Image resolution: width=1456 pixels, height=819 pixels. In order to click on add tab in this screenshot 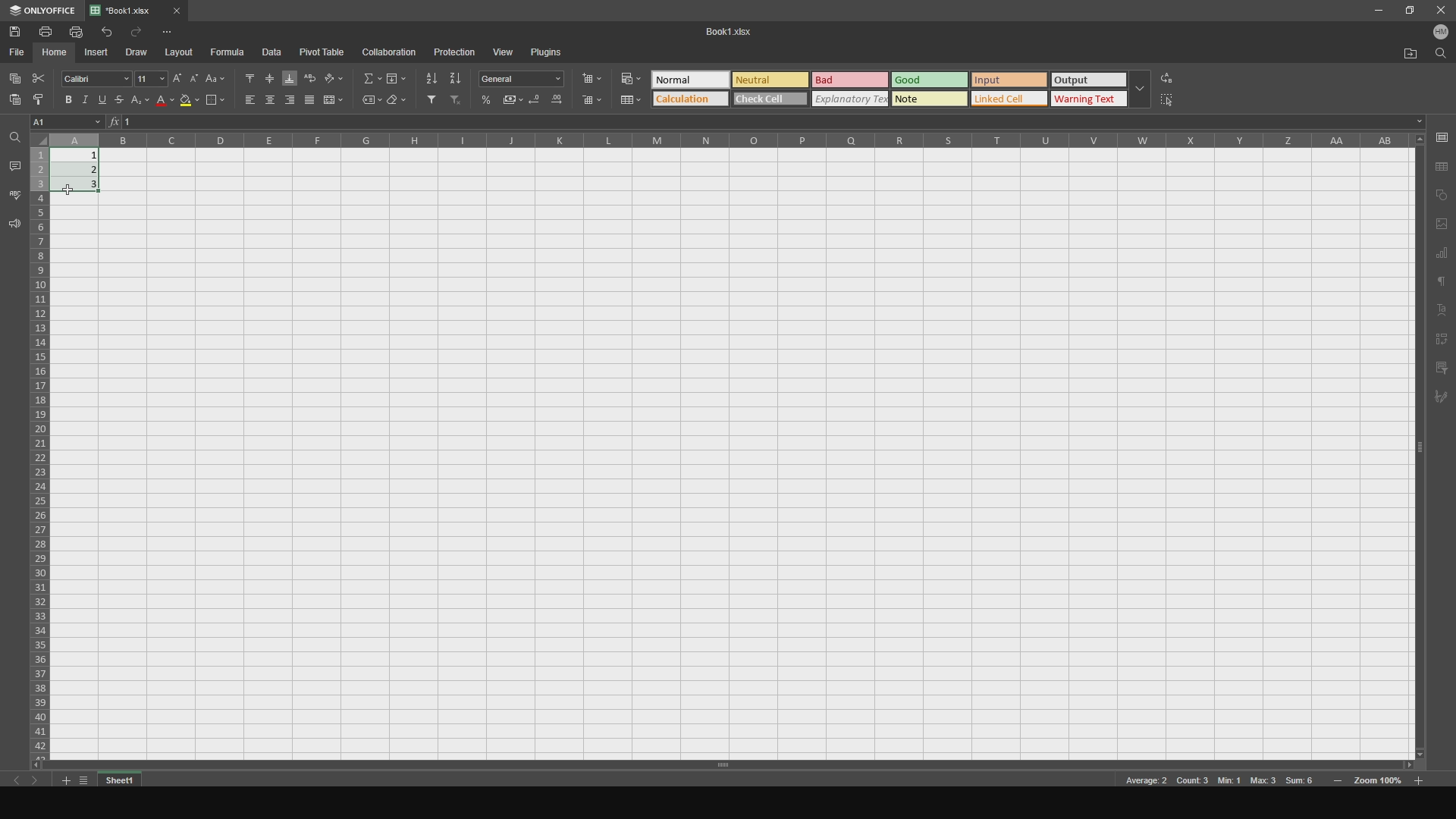, I will do `click(63, 782)`.